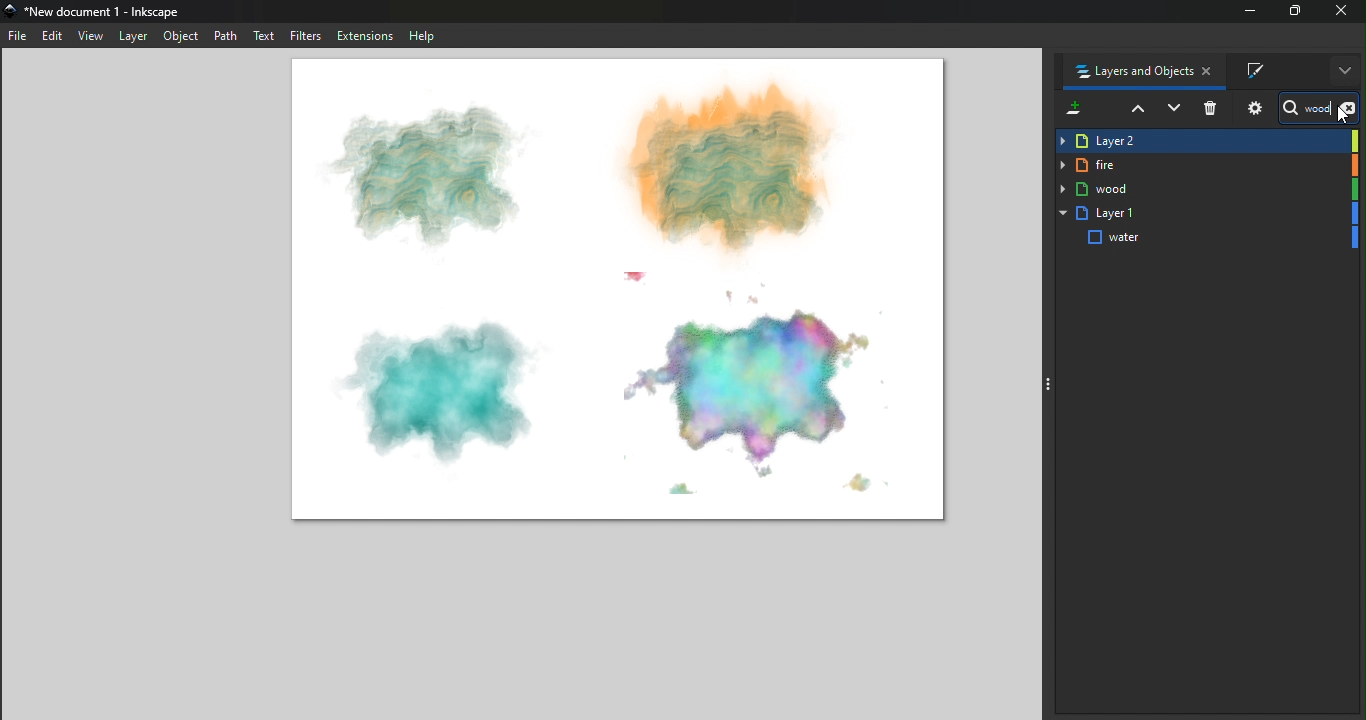 The height and width of the screenshot is (720, 1366). I want to click on Path, so click(228, 36).